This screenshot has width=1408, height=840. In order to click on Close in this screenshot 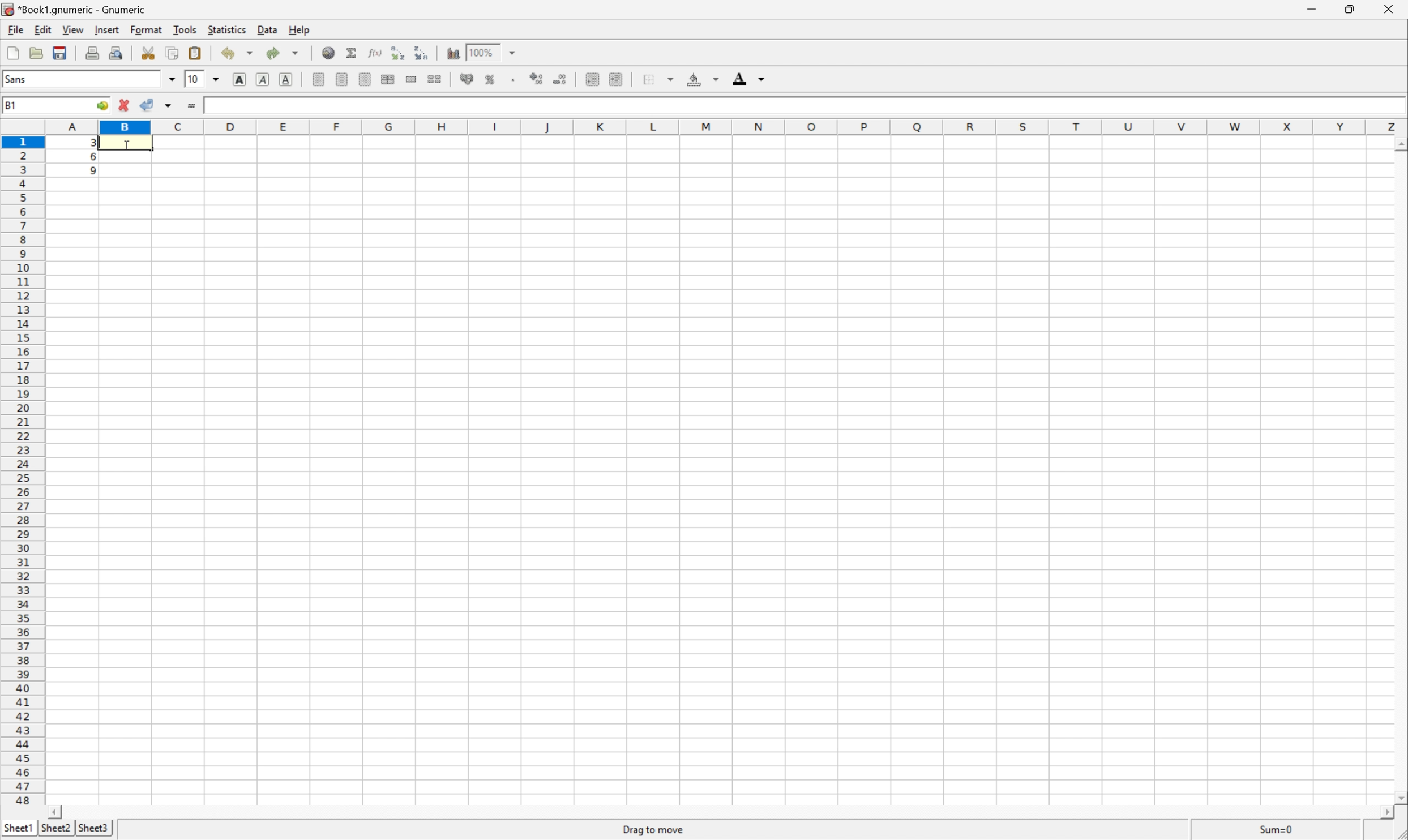, I will do `click(1385, 8)`.